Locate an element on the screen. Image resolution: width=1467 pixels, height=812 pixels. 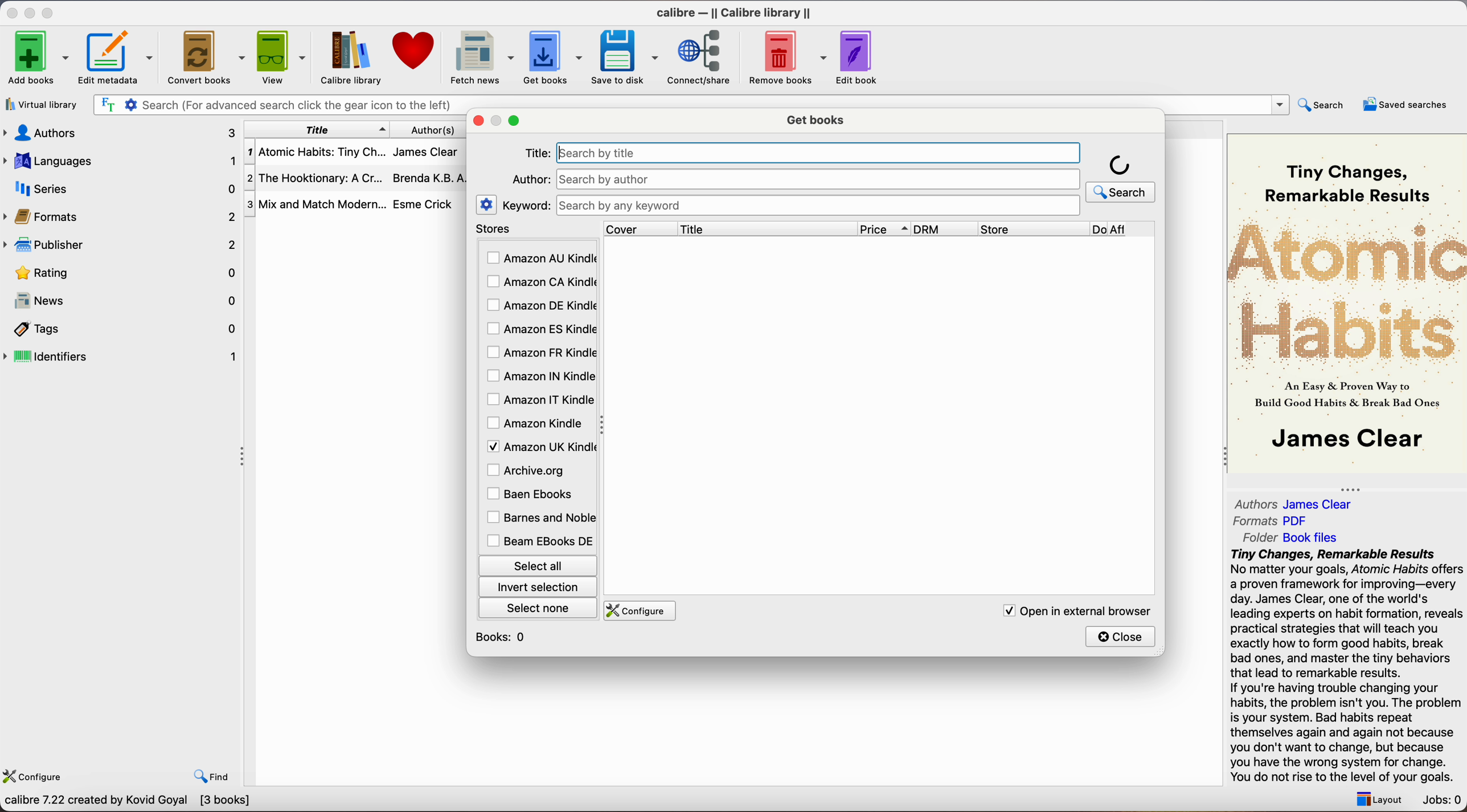
close is located at coordinates (11, 13).